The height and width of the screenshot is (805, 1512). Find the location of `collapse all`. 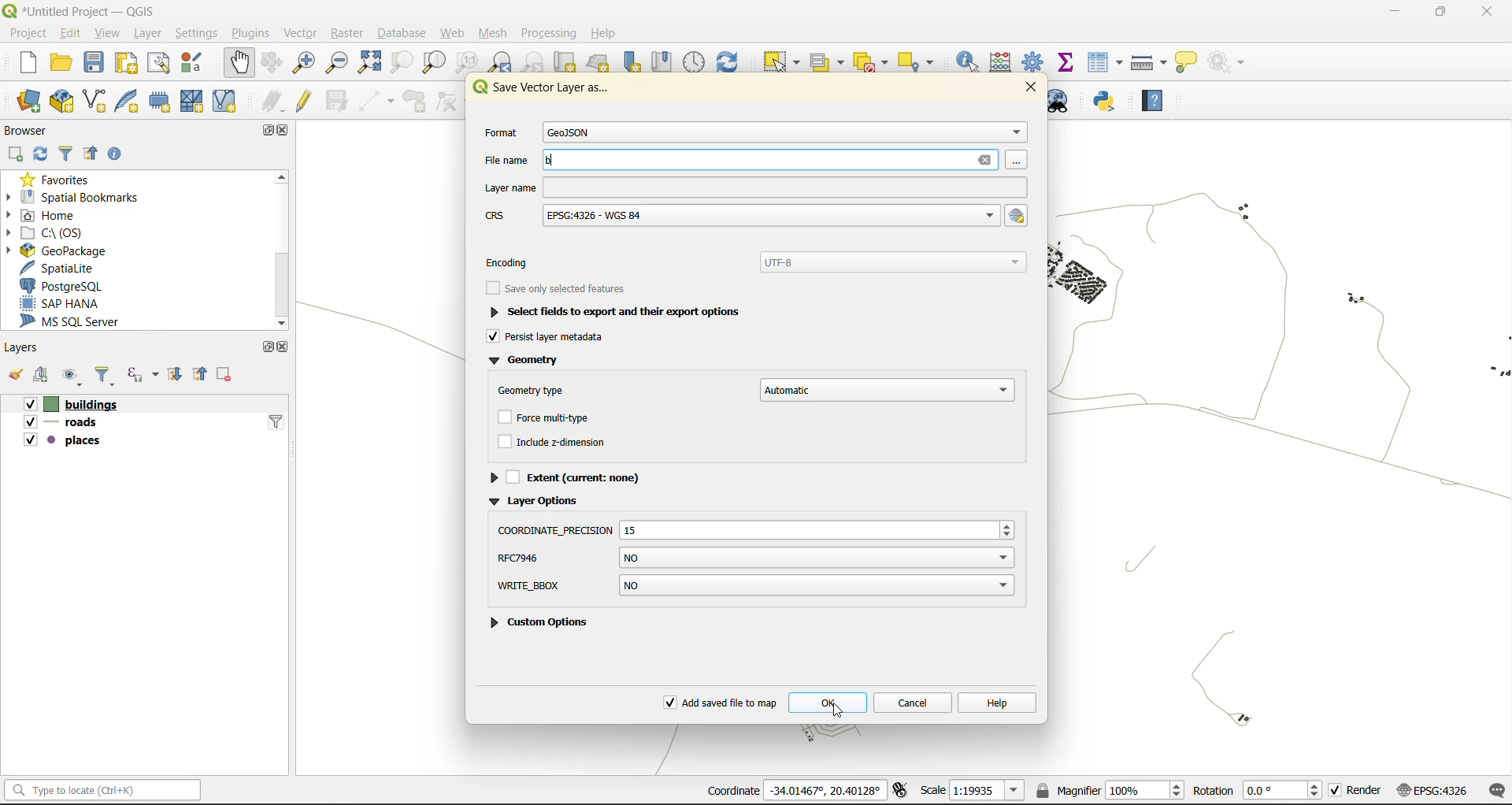

collapse all is located at coordinates (203, 374).